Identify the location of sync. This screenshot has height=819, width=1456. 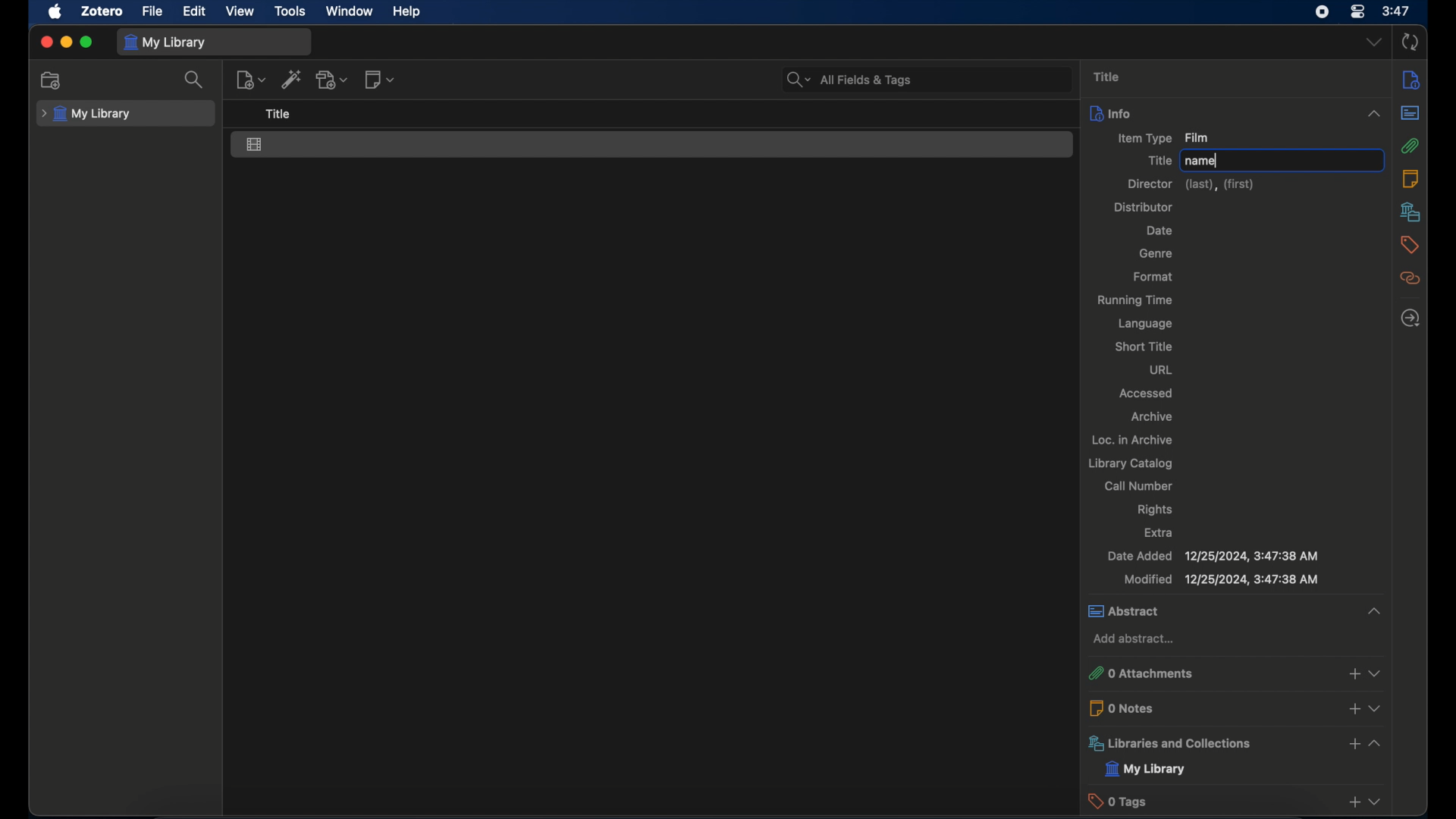
(1411, 42).